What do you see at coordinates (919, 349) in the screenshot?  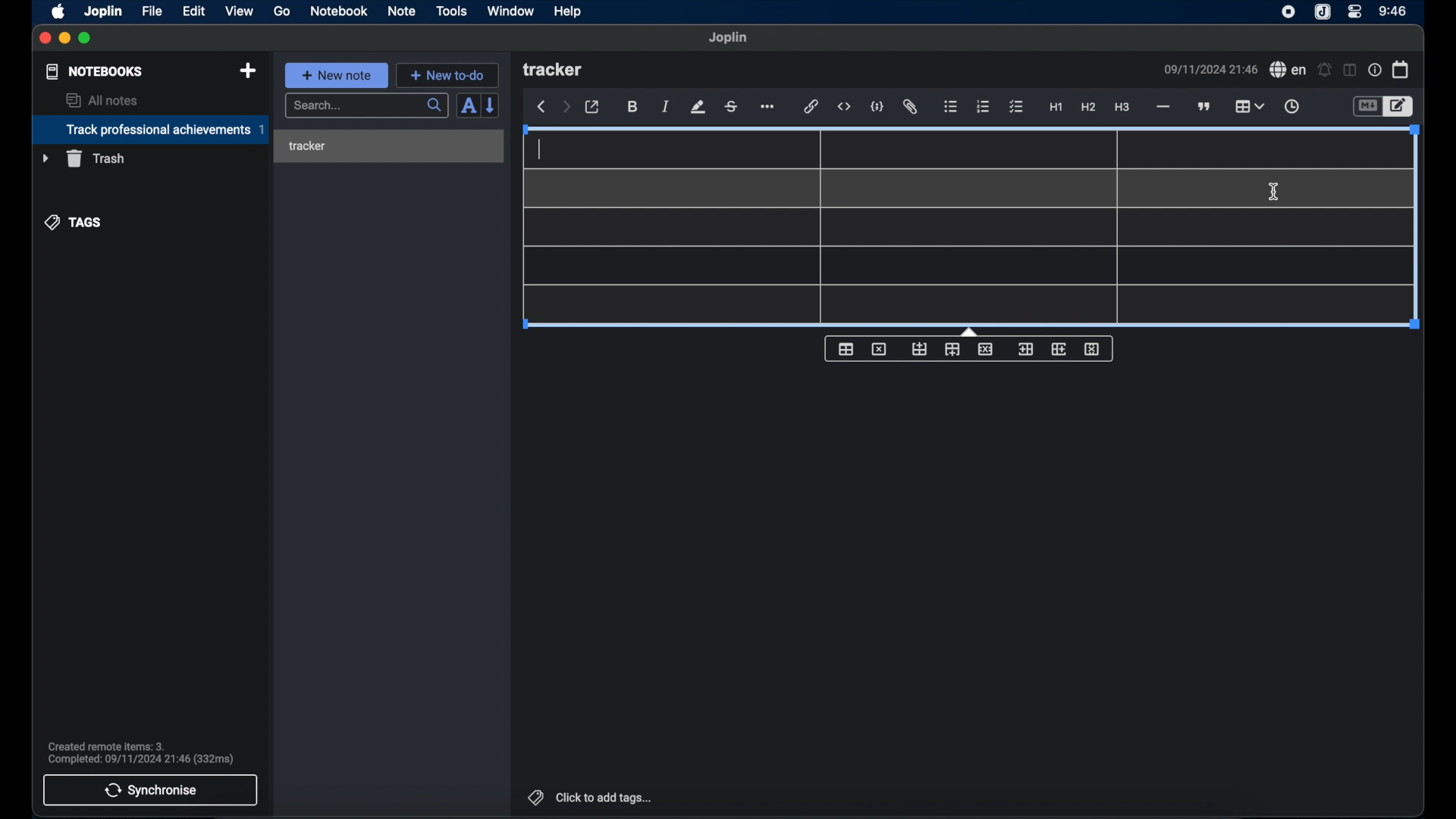 I see `insert row before` at bounding box center [919, 349].